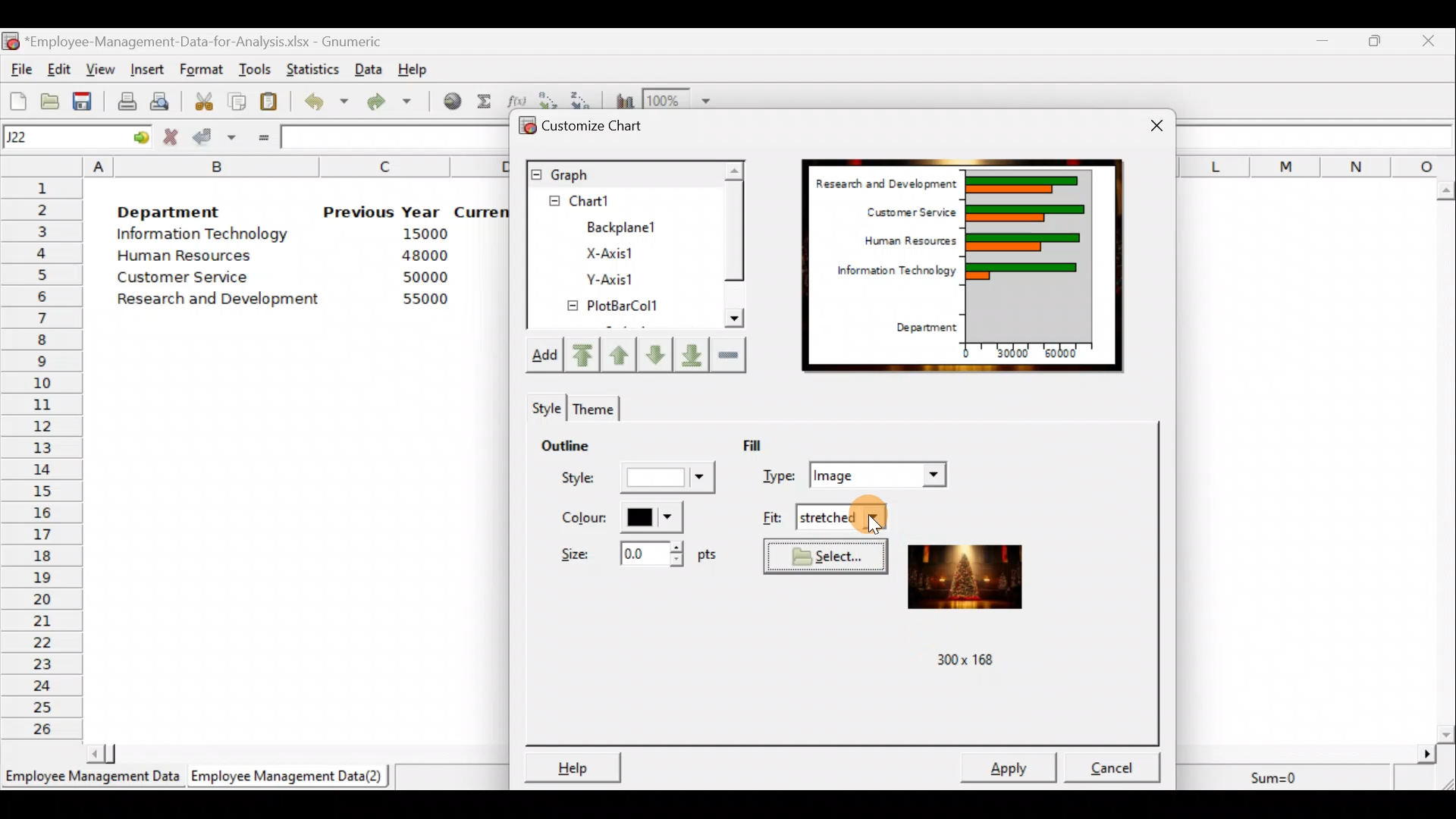 This screenshot has width=1456, height=819. Describe the element at coordinates (19, 69) in the screenshot. I see `File` at that location.